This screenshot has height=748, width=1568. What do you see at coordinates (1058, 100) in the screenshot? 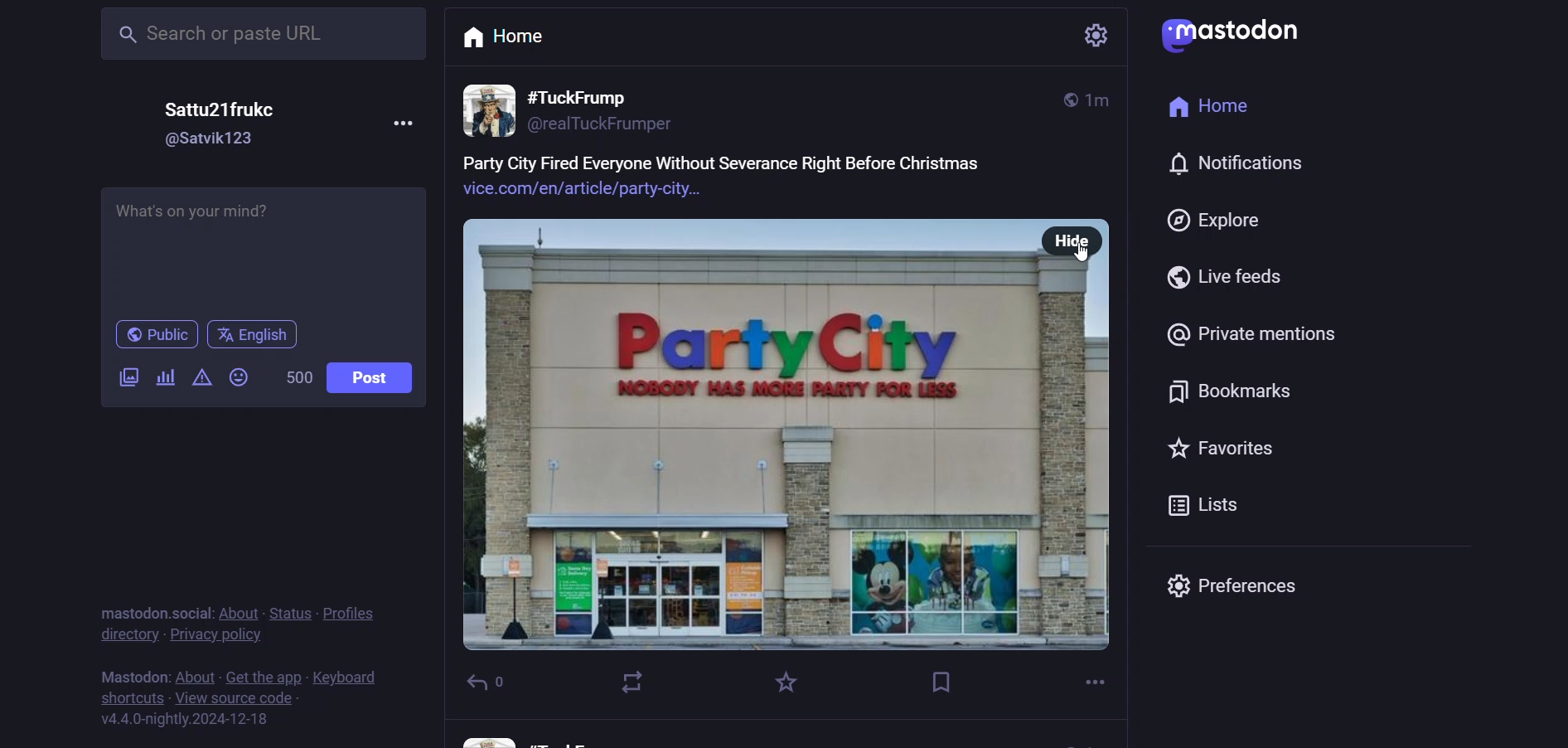
I see `global post` at bounding box center [1058, 100].